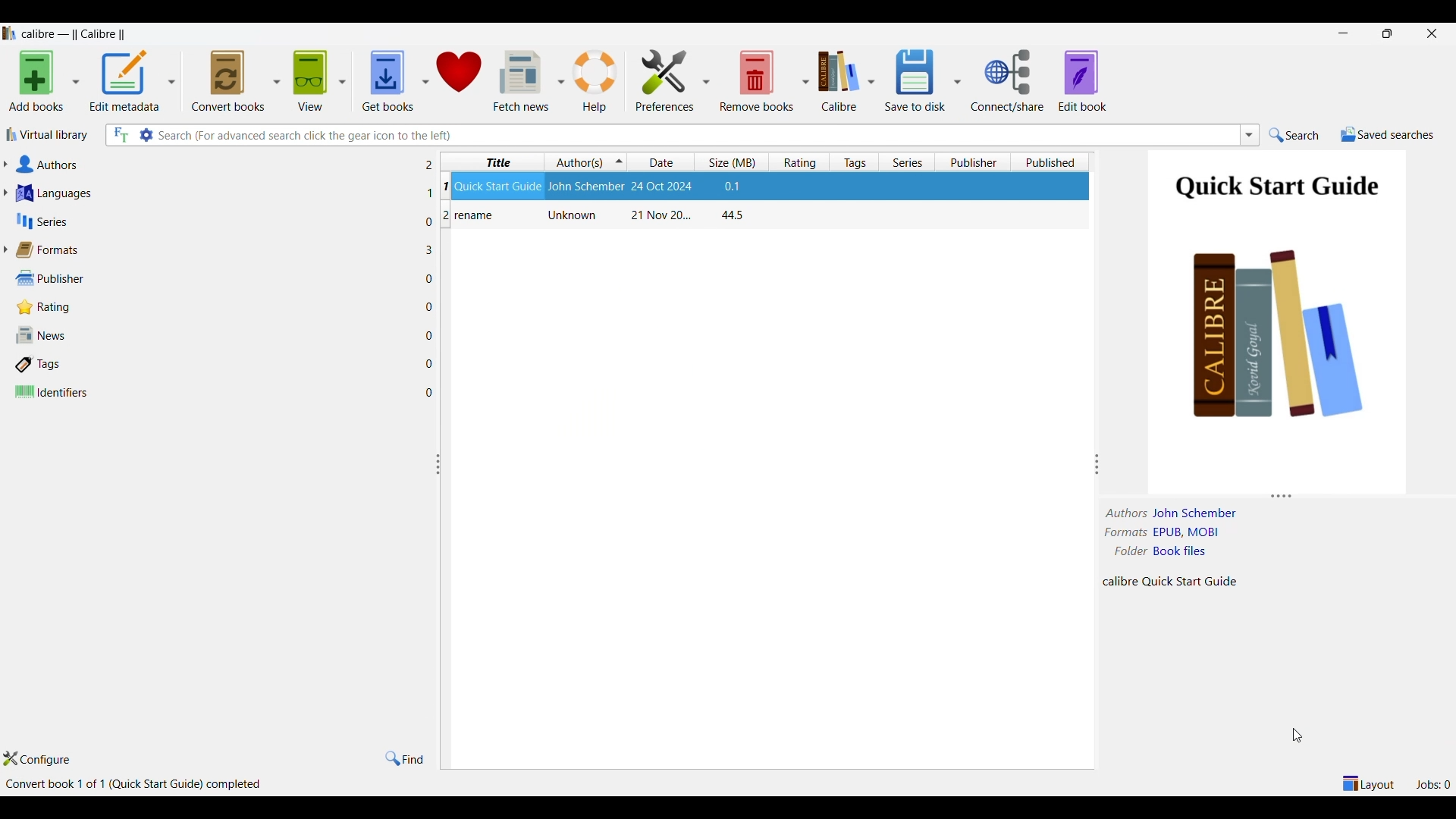  I want to click on Configure, so click(36, 759).